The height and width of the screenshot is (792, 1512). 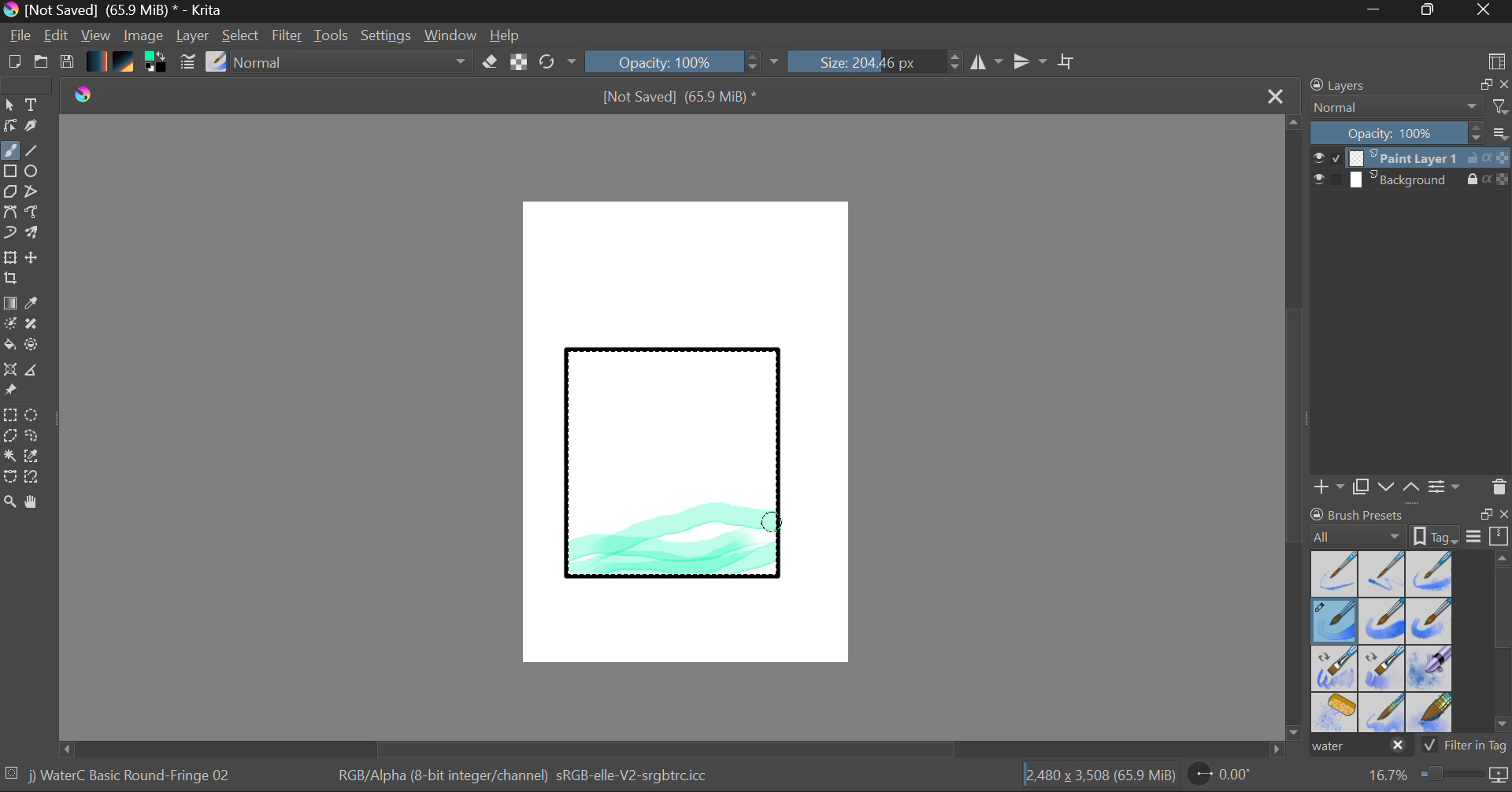 What do you see at coordinates (1388, 487) in the screenshot?
I see `Move Layer Down` at bounding box center [1388, 487].